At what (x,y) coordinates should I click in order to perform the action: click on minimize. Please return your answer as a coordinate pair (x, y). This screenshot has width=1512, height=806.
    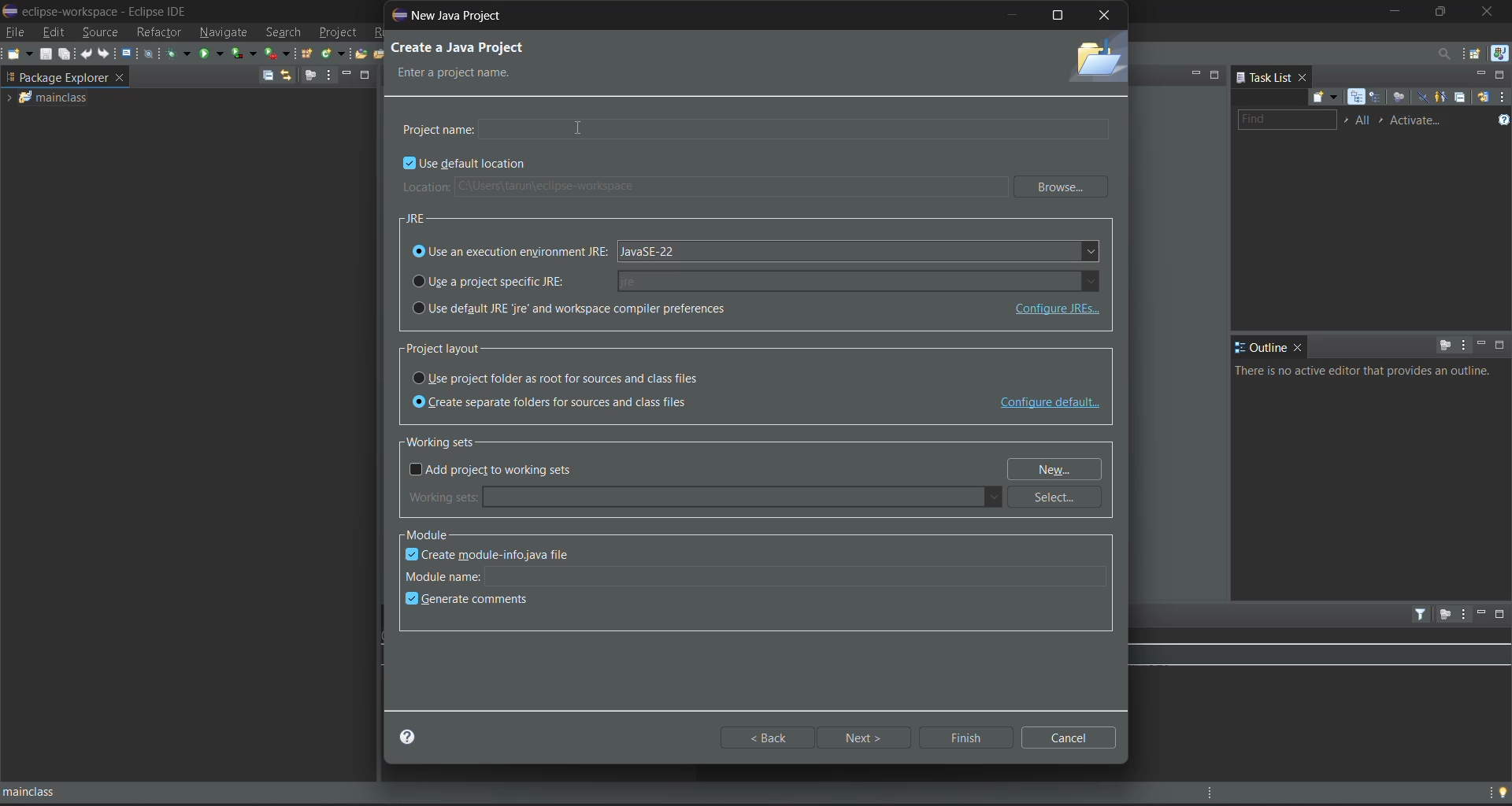
    Looking at the image, I should click on (1480, 346).